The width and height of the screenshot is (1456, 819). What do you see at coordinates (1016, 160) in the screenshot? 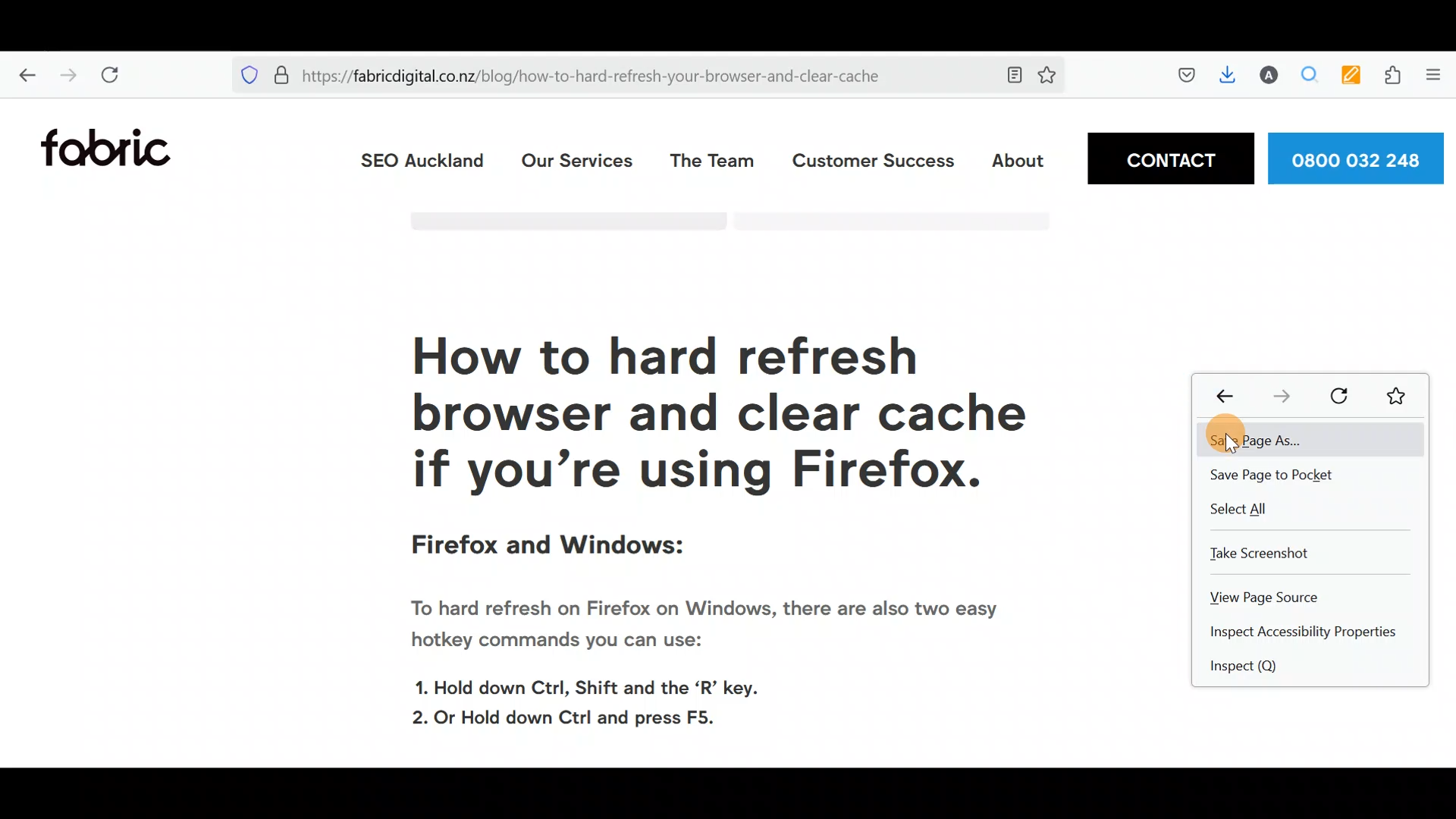
I see `About` at bounding box center [1016, 160].